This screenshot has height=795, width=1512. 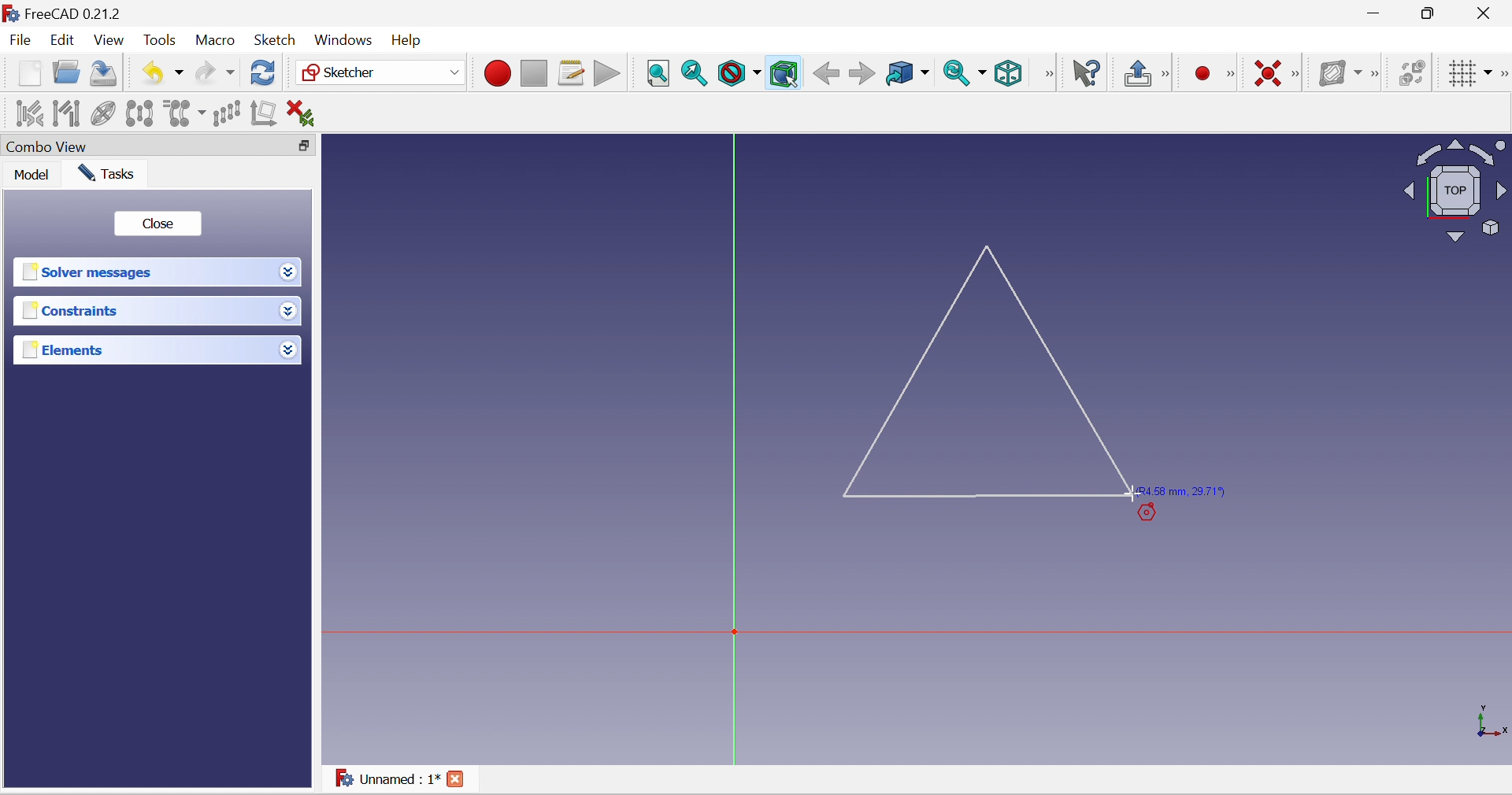 I want to click on Tasks, so click(x=106, y=174).